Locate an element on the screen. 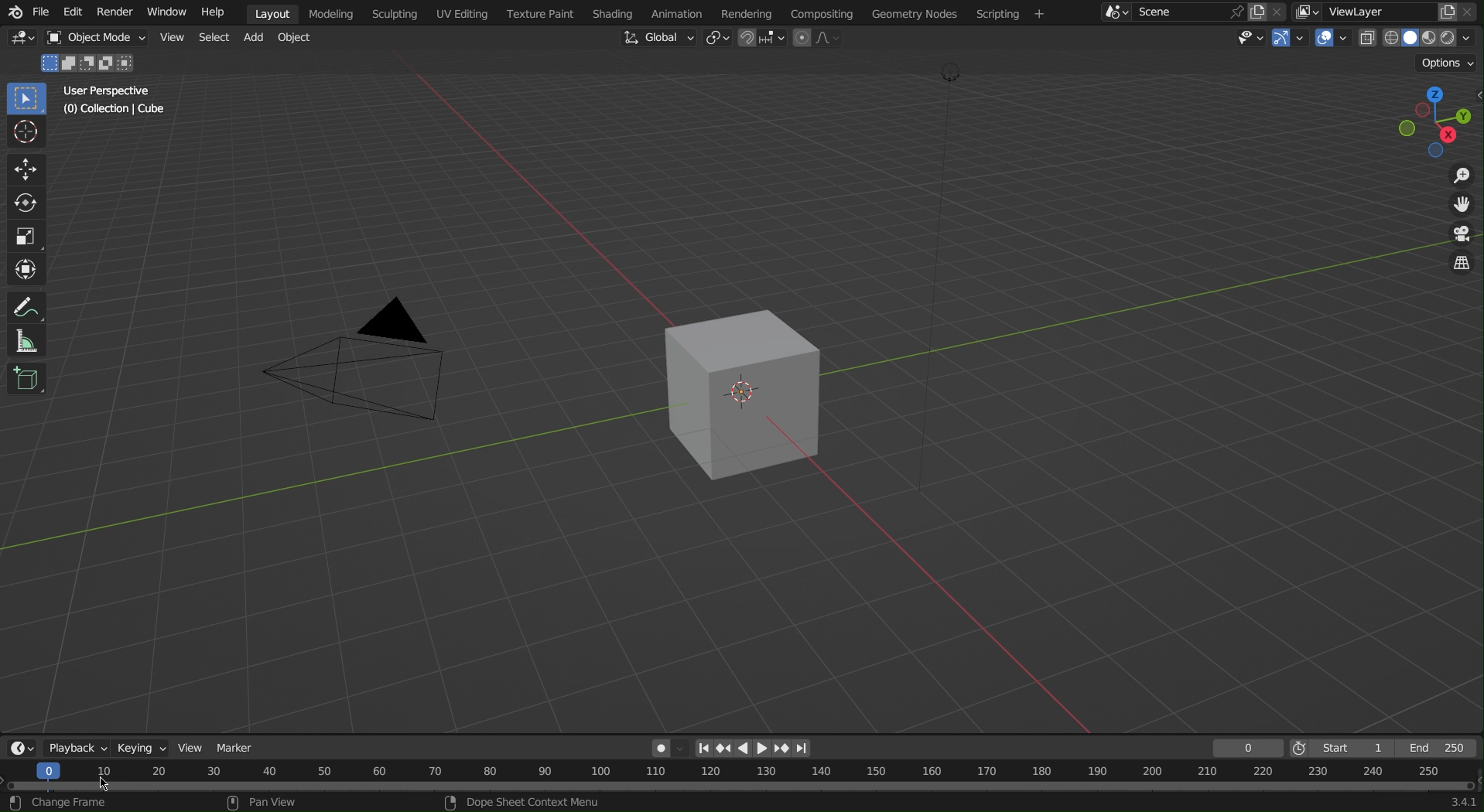 The width and height of the screenshot is (1484, 812).  is located at coordinates (170, 36).